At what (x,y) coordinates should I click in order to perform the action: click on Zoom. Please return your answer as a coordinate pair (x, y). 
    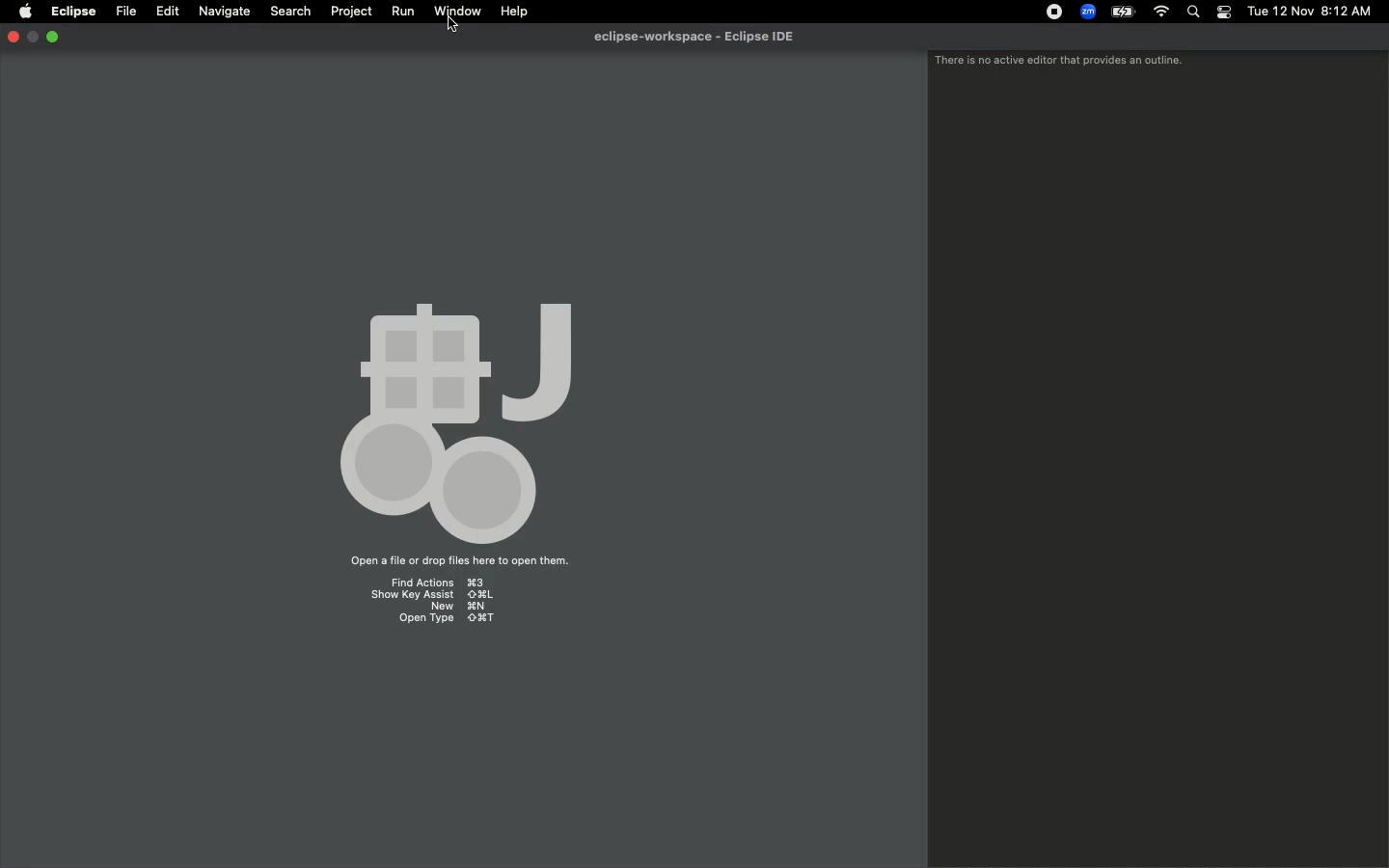
    Looking at the image, I should click on (1085, 12).